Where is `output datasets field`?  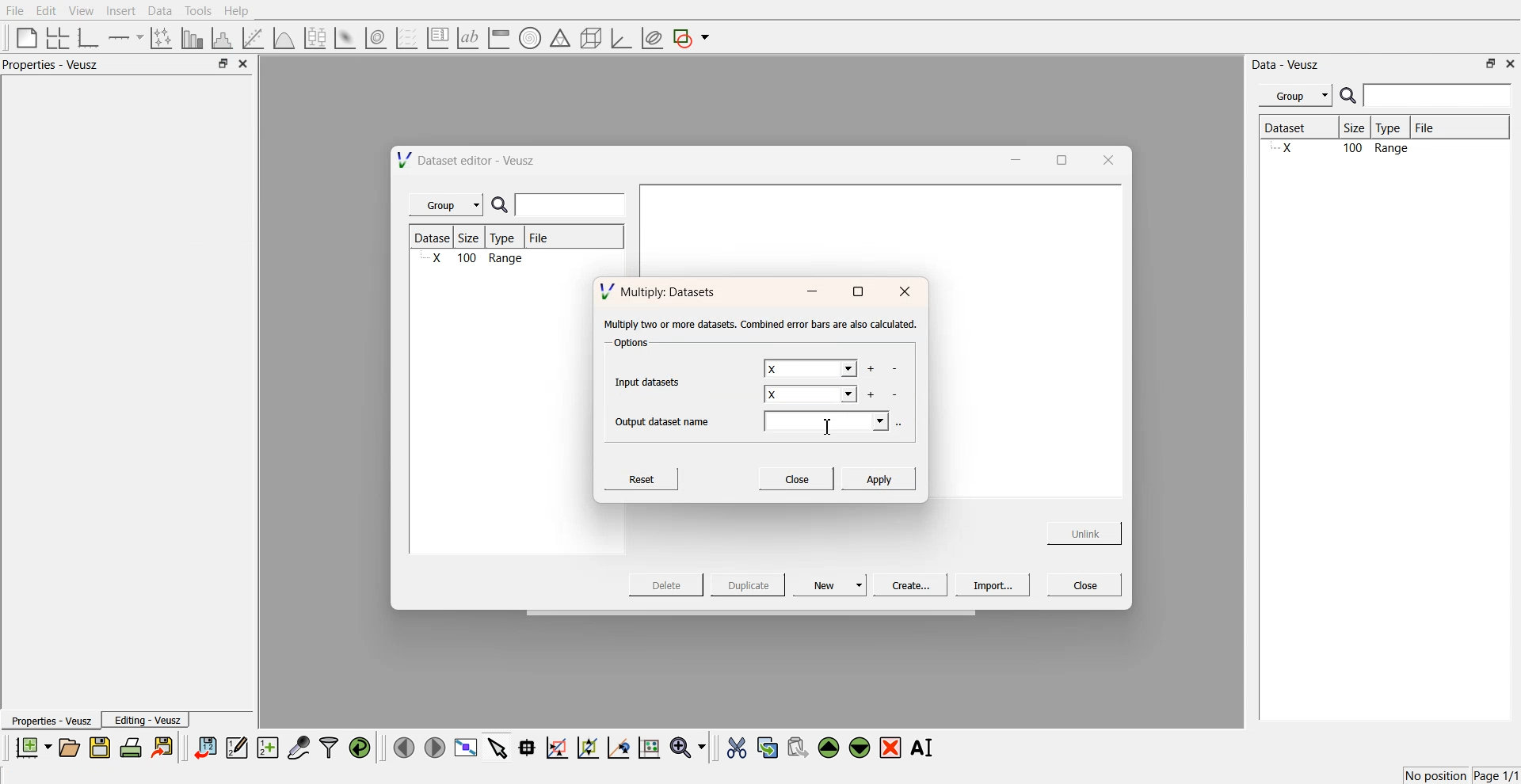 output datasets field is located at coordinates (829, 423).